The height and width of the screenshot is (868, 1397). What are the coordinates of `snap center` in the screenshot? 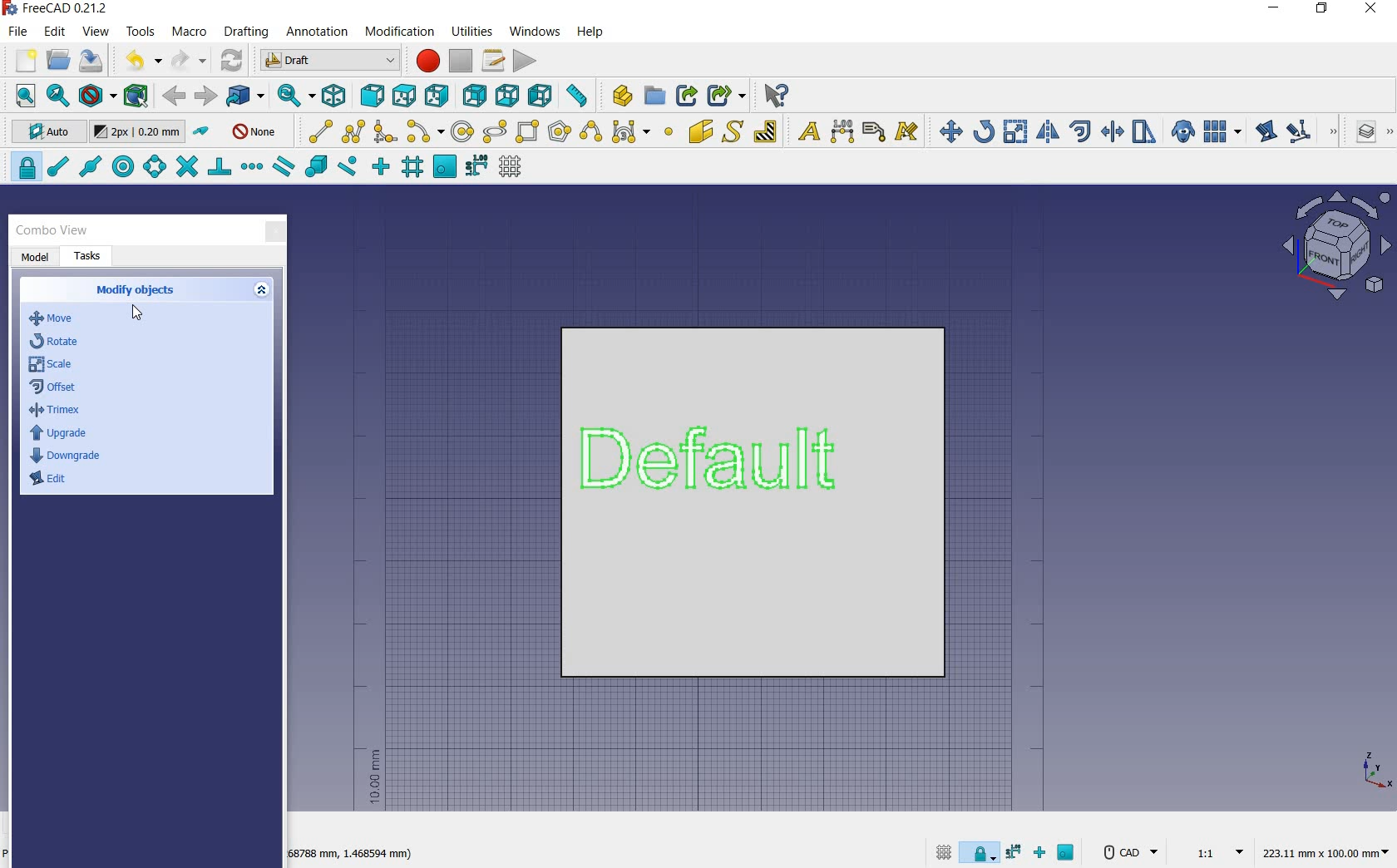 It's located at (121, 167).